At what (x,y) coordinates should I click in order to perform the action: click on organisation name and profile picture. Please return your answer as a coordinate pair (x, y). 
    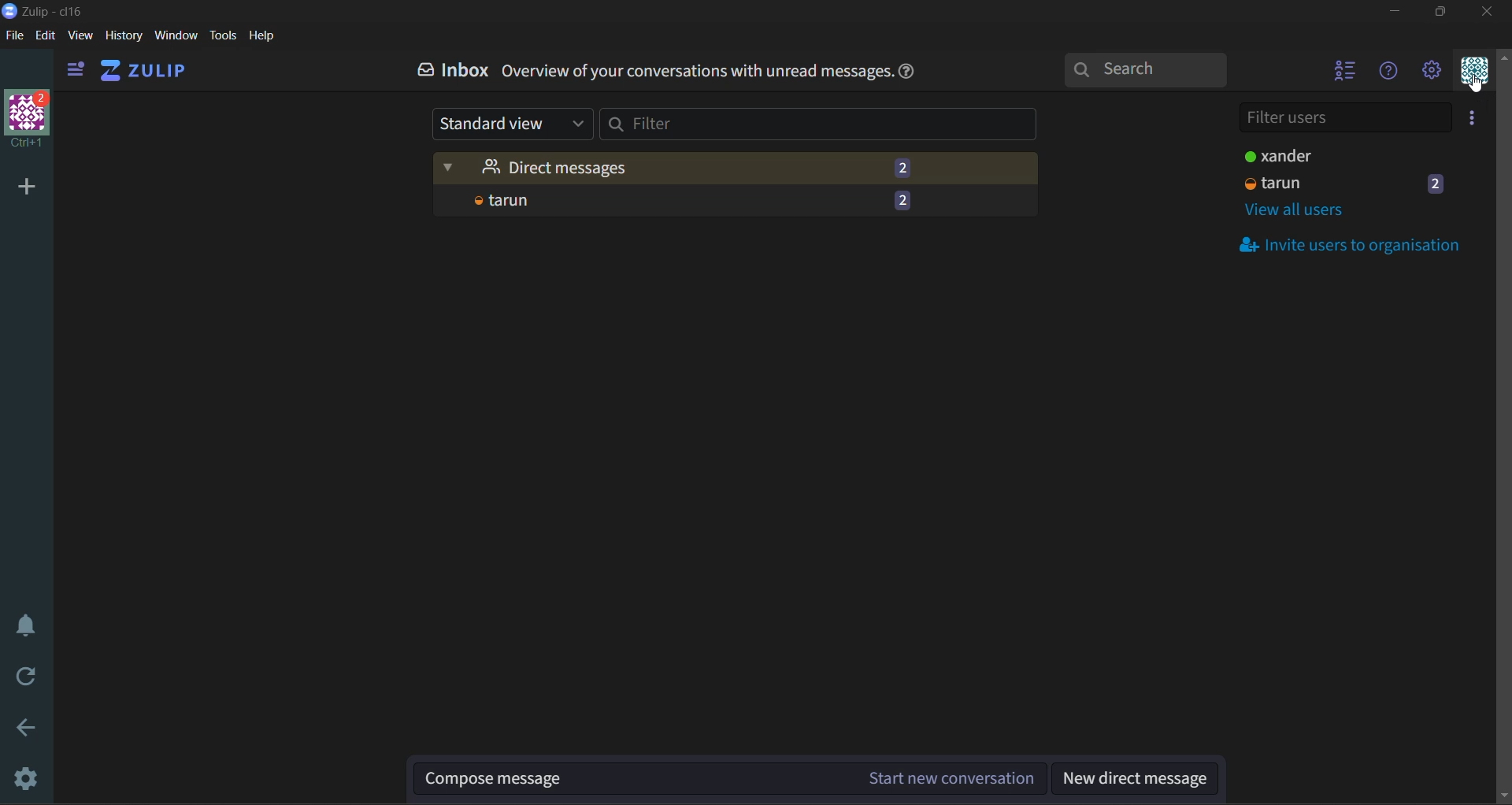
    Looking at the image, I should click on (24, 122).